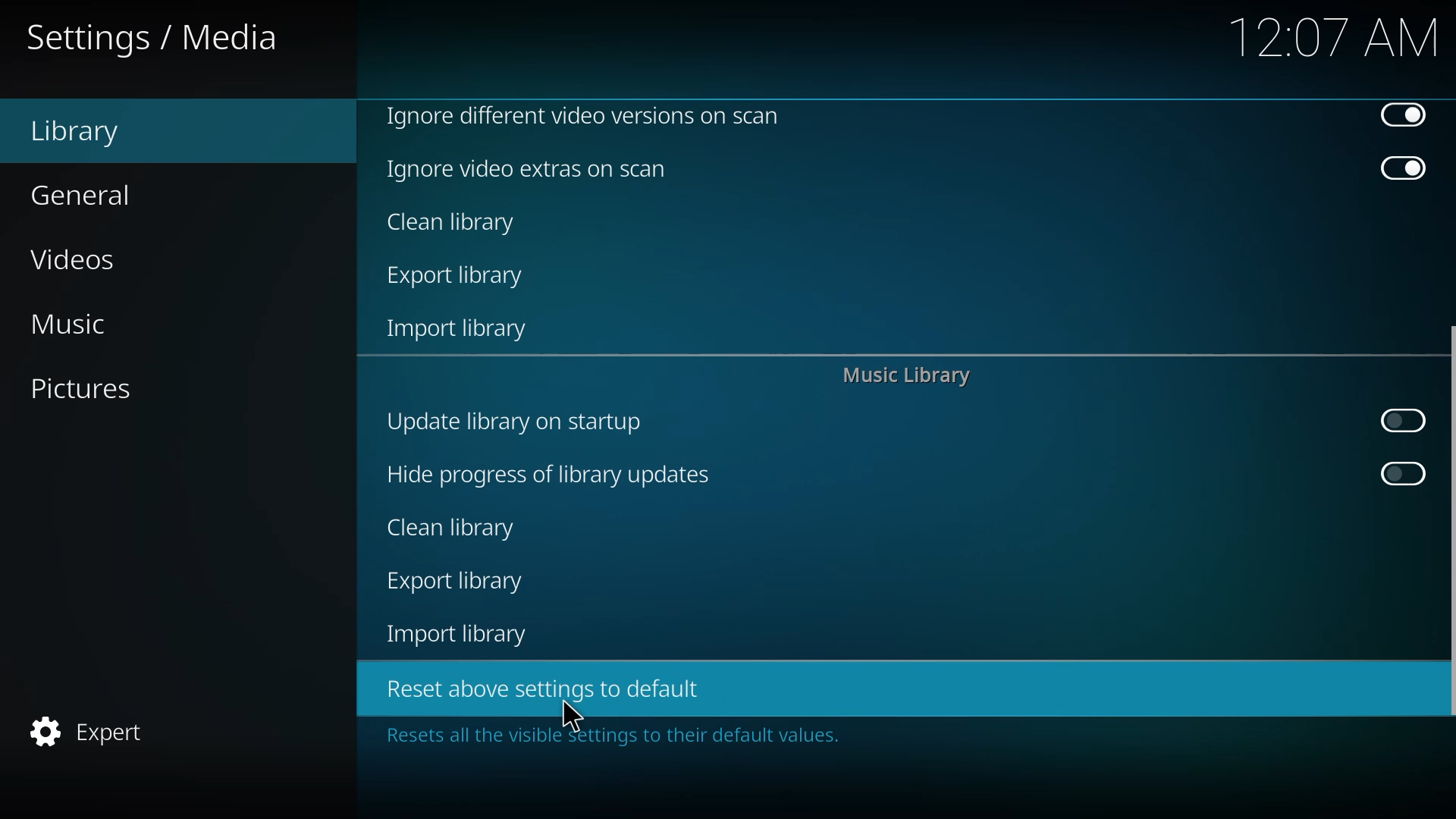 Image resolution: width=1456 pixels, height=819 pixels. Describe the element at coordinates (1335, 36) in the screenshot. I see `time` at that location.